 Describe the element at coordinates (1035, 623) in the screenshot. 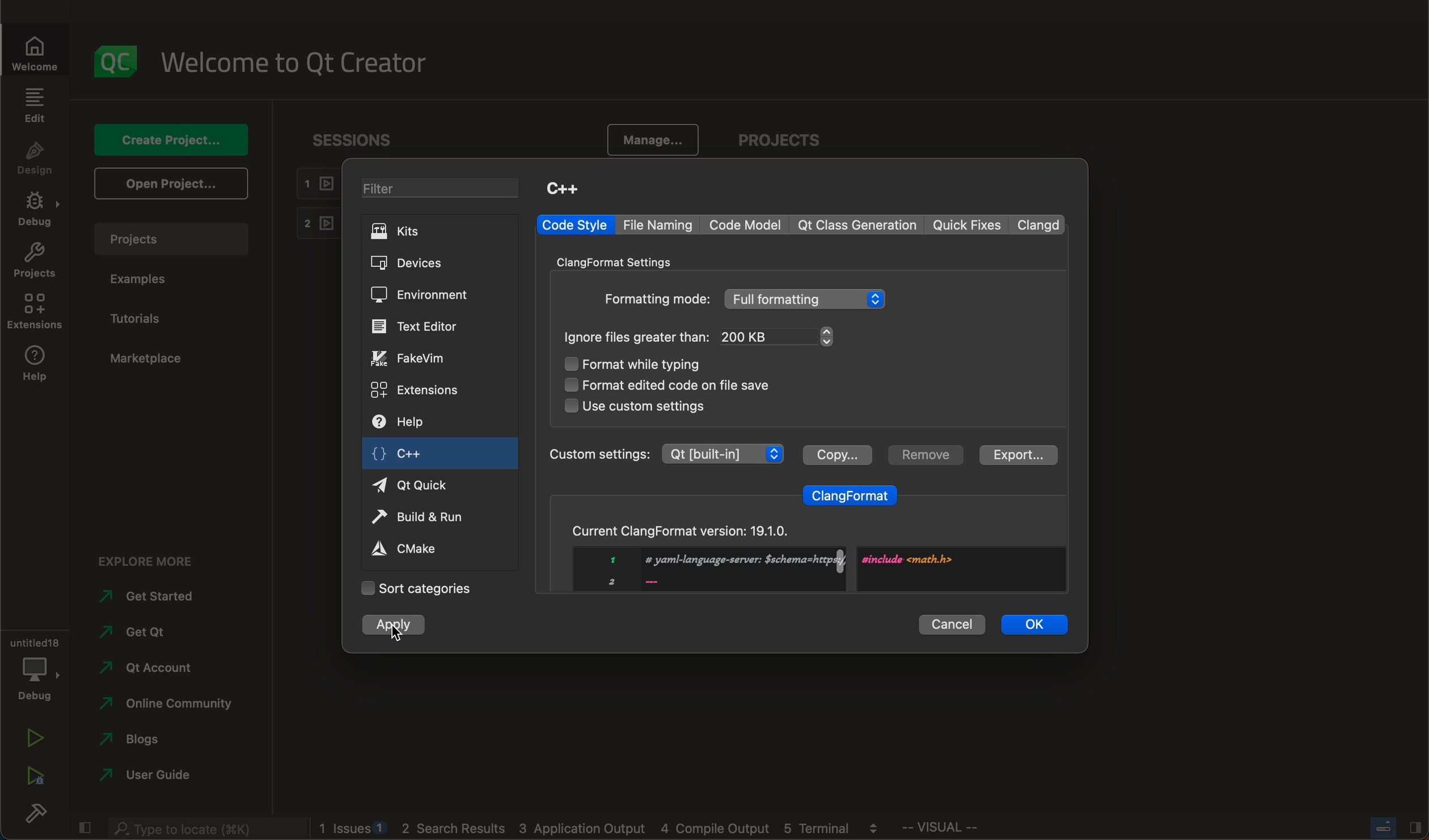

I see `ok` at that location.